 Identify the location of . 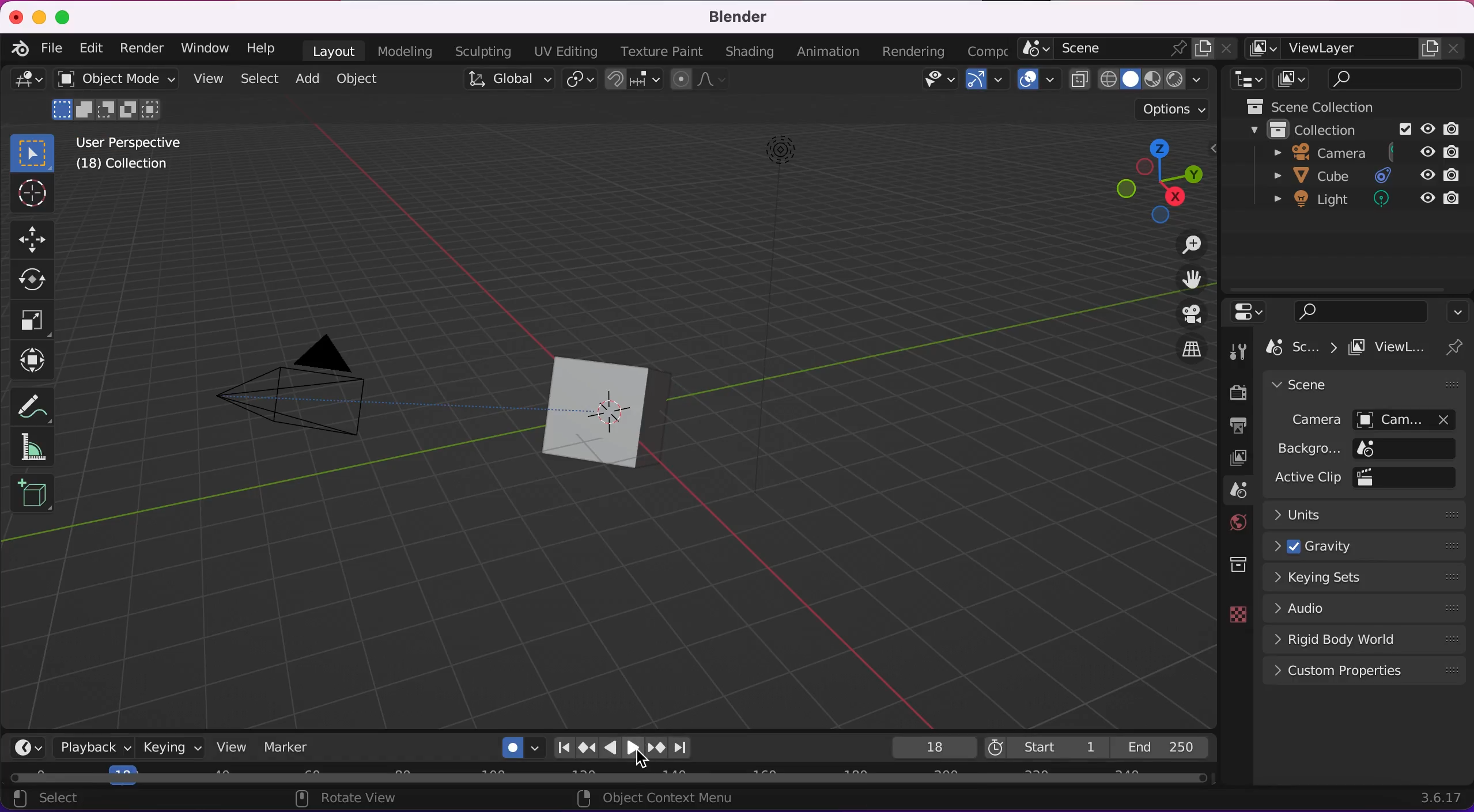
(986, 50).